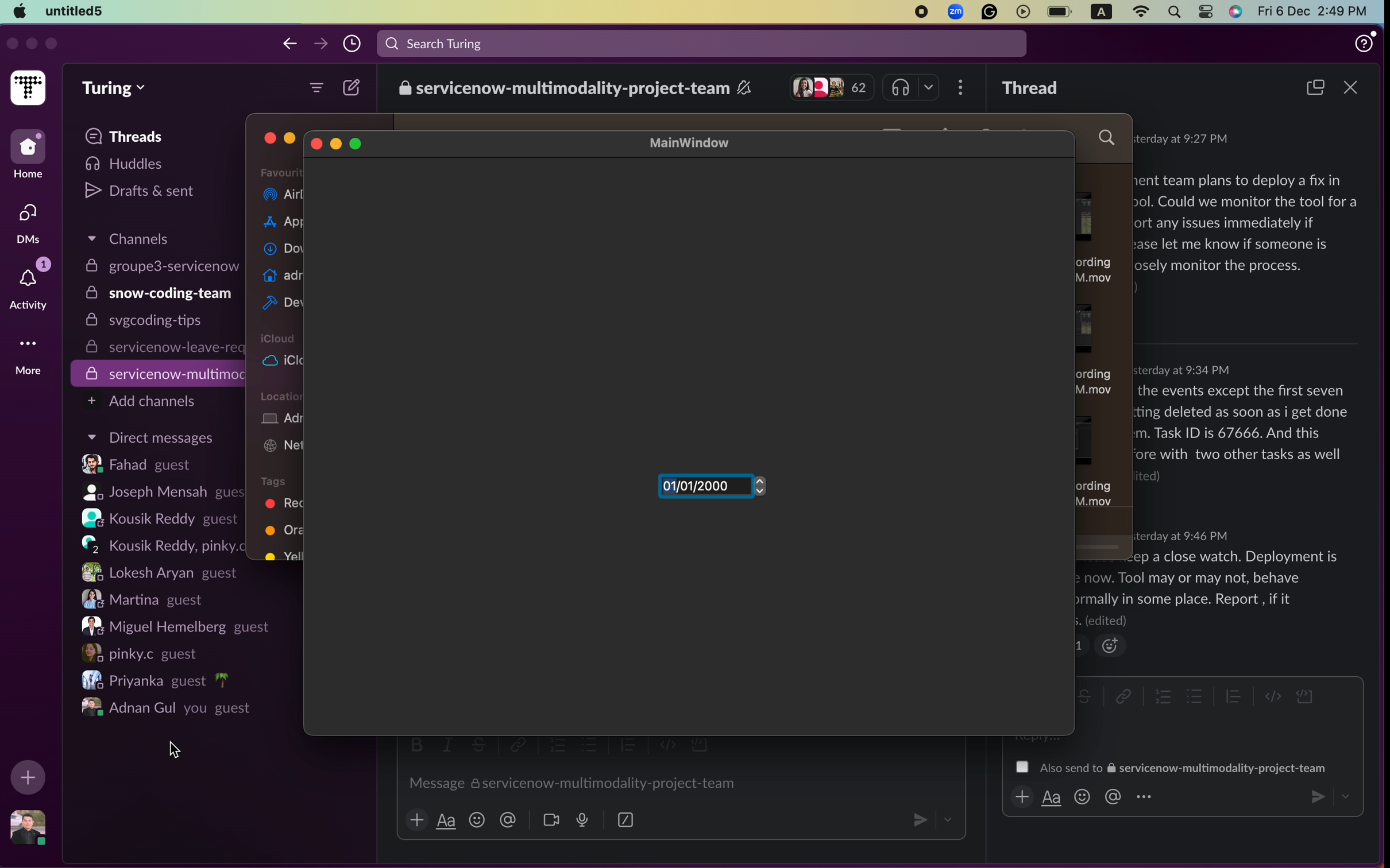 Image resolution: width=1390 pixels, height=868 pixels. I want to click on voice, so click(581, 820).